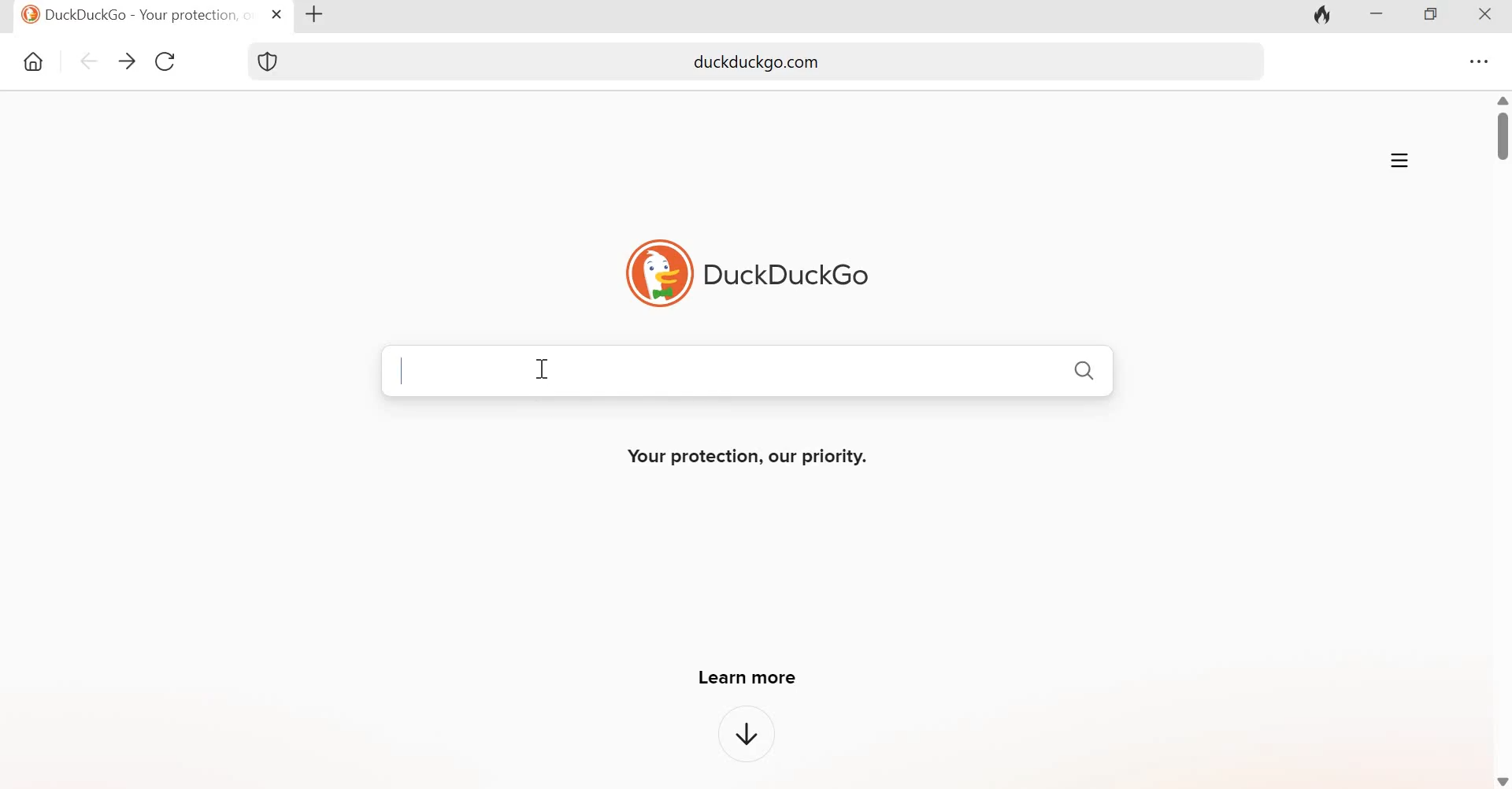 This screenshot has width=1512, height=789. I want to click on Shield, so click(270, 61).